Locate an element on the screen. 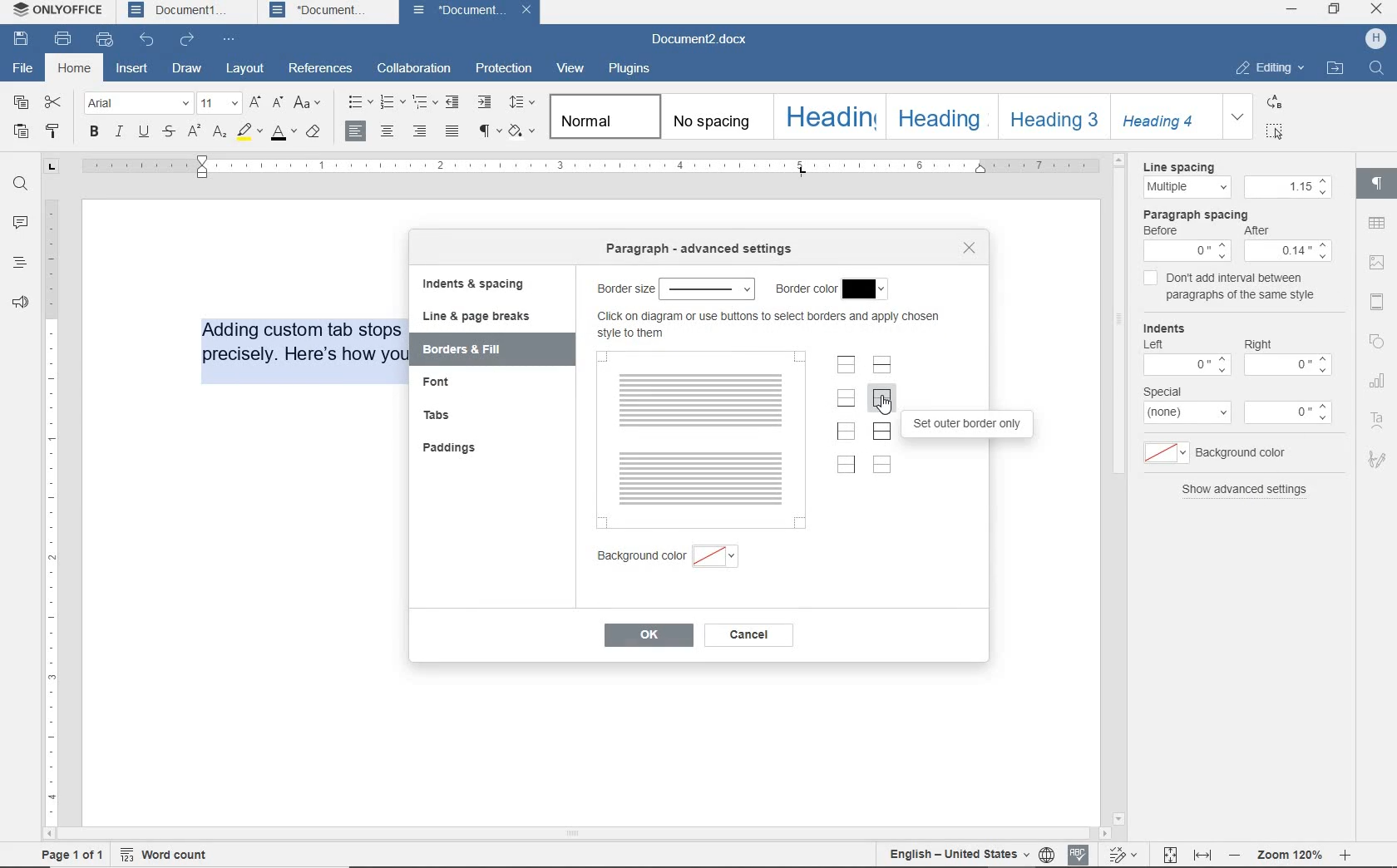  scroll is located at coordinates (590, 833).